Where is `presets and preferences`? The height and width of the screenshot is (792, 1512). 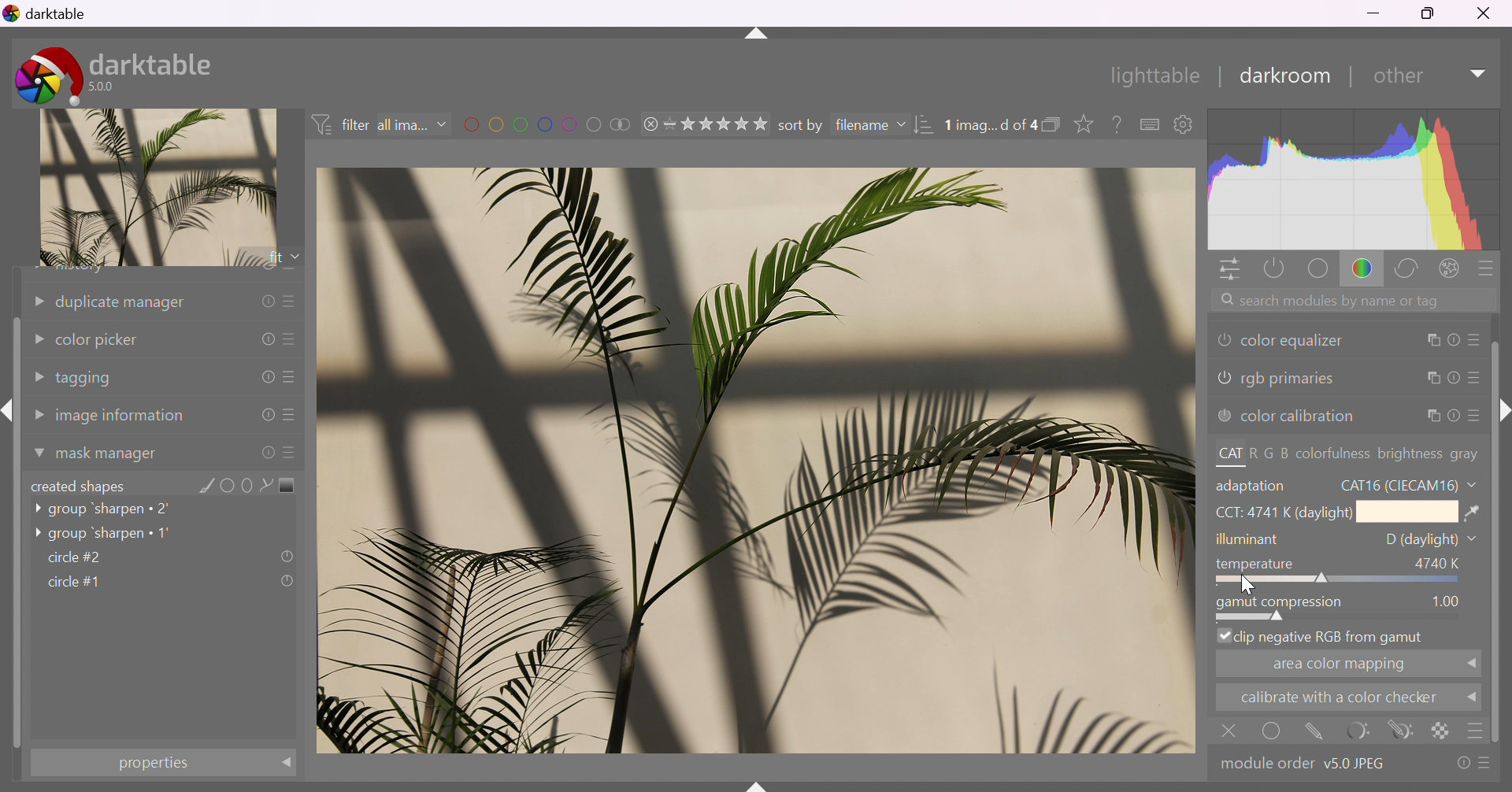
presets and preferences is located at coordinates (1470, 761).